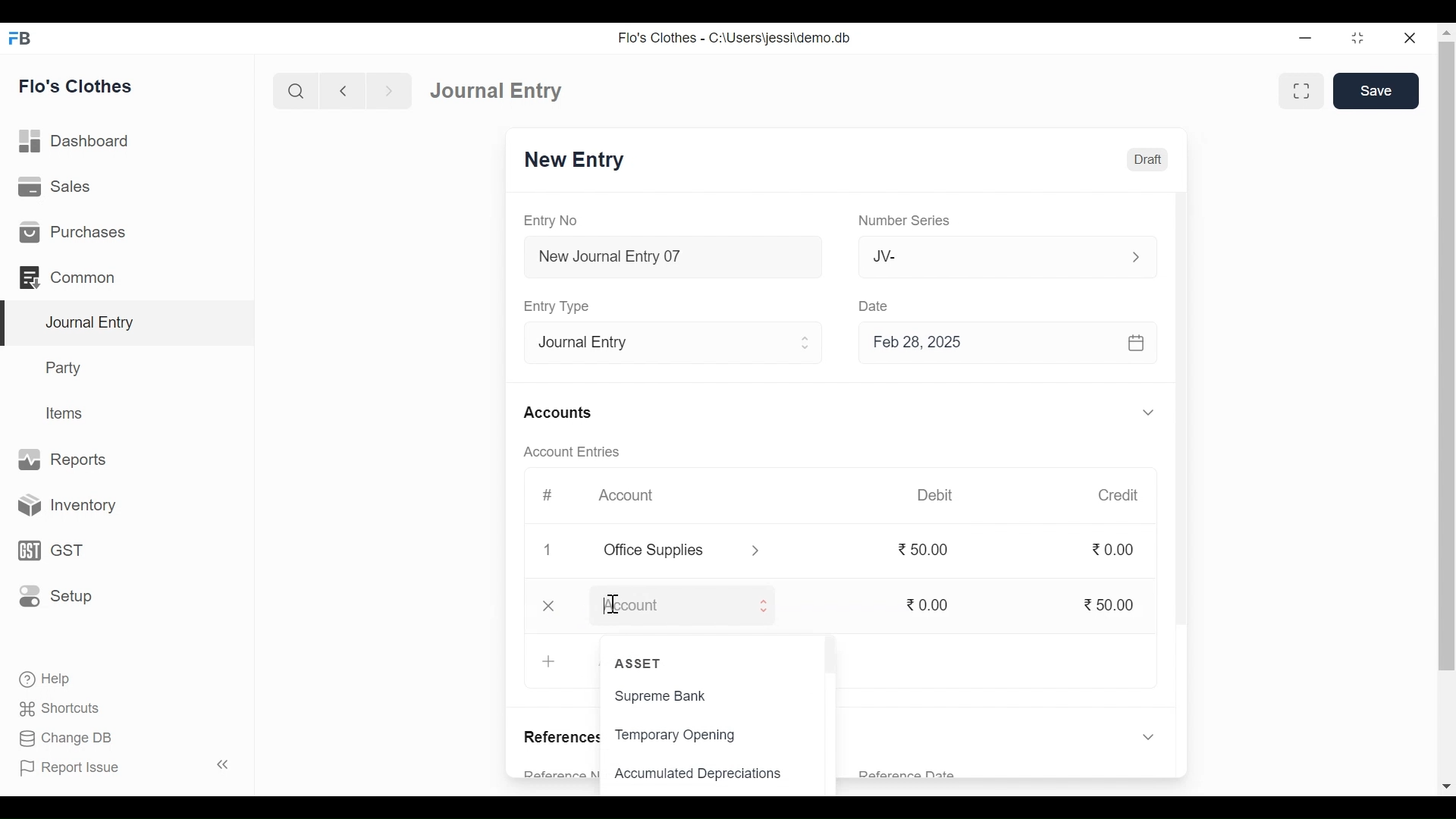  I want to click on Account Entries, so click(579, 450).